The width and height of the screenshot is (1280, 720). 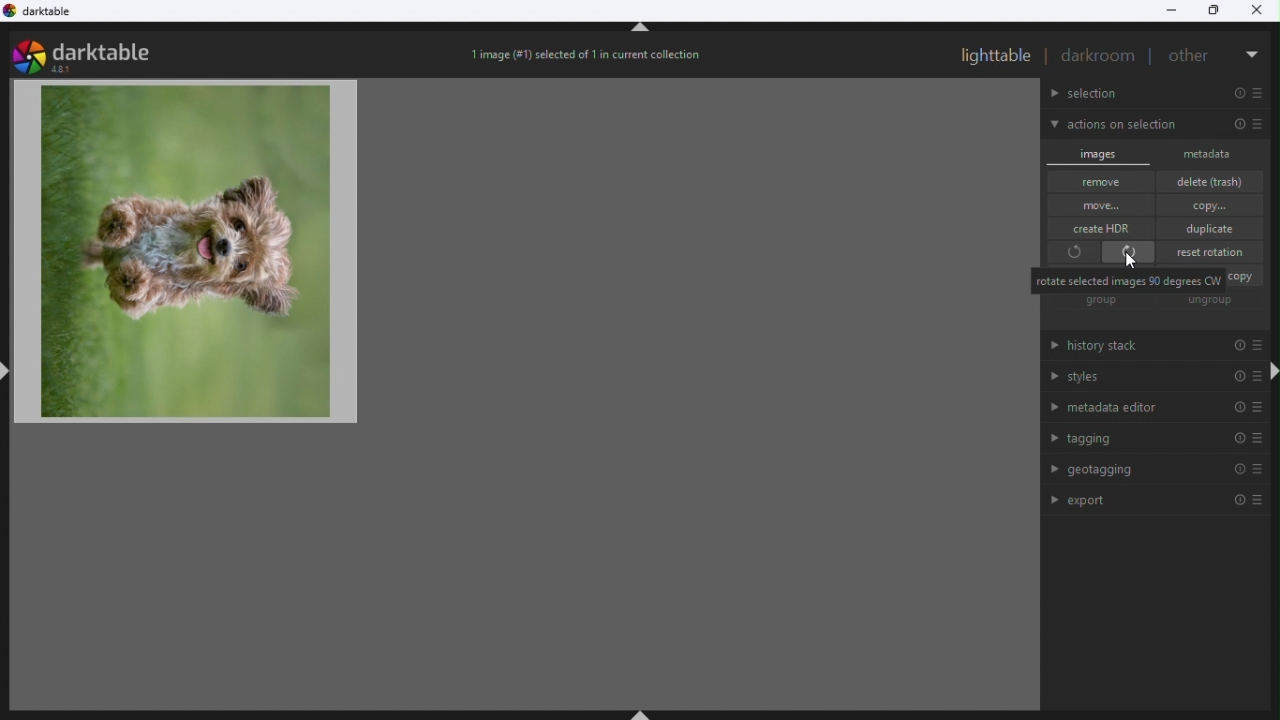 What do you see at coordinates (1158, 94) in the screenshot?
I see `Selection` at bounding box center [1158, 94].